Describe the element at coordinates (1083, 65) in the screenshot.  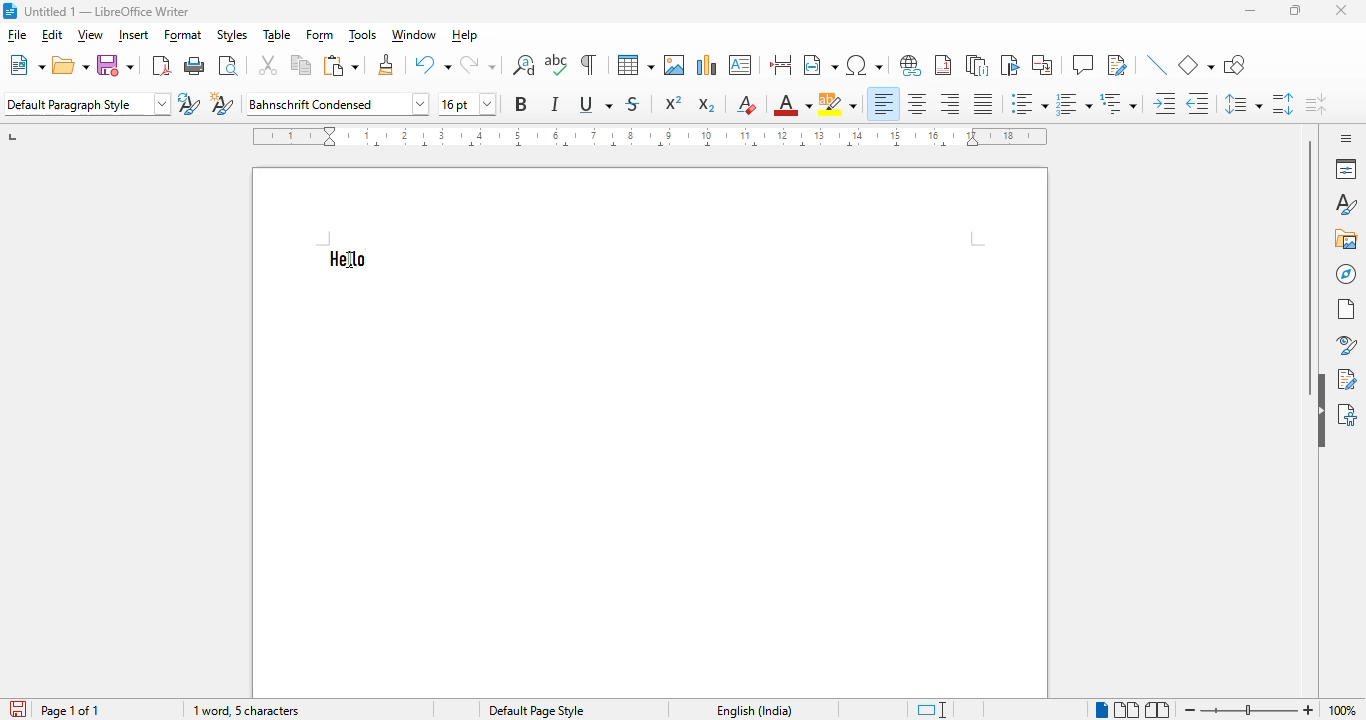
I see `insert comment` at that location.